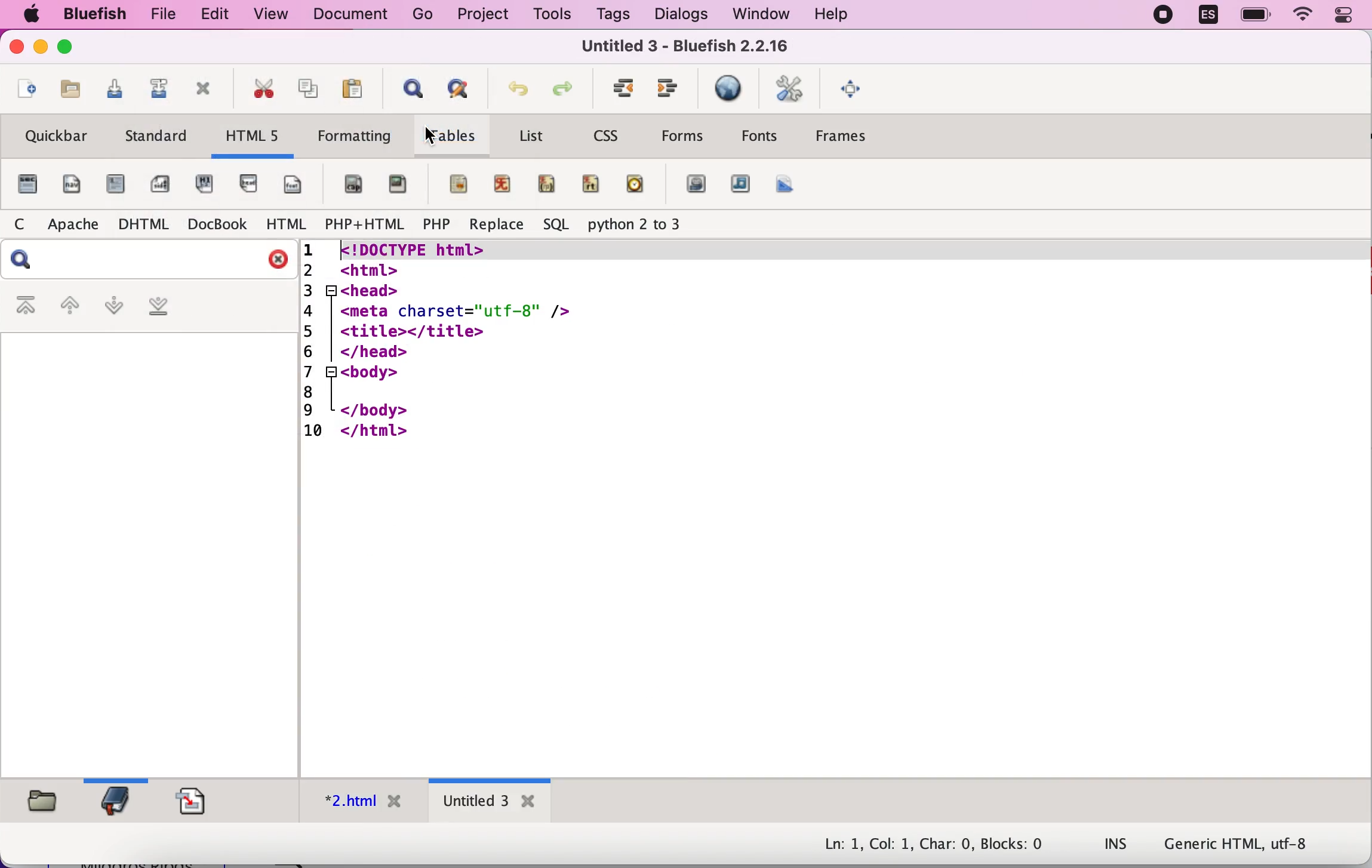 This screenshot has height=868, width=1372. Describe the element at coordinates (593, 186) in the screenshot. I see `ruby text` at that location.